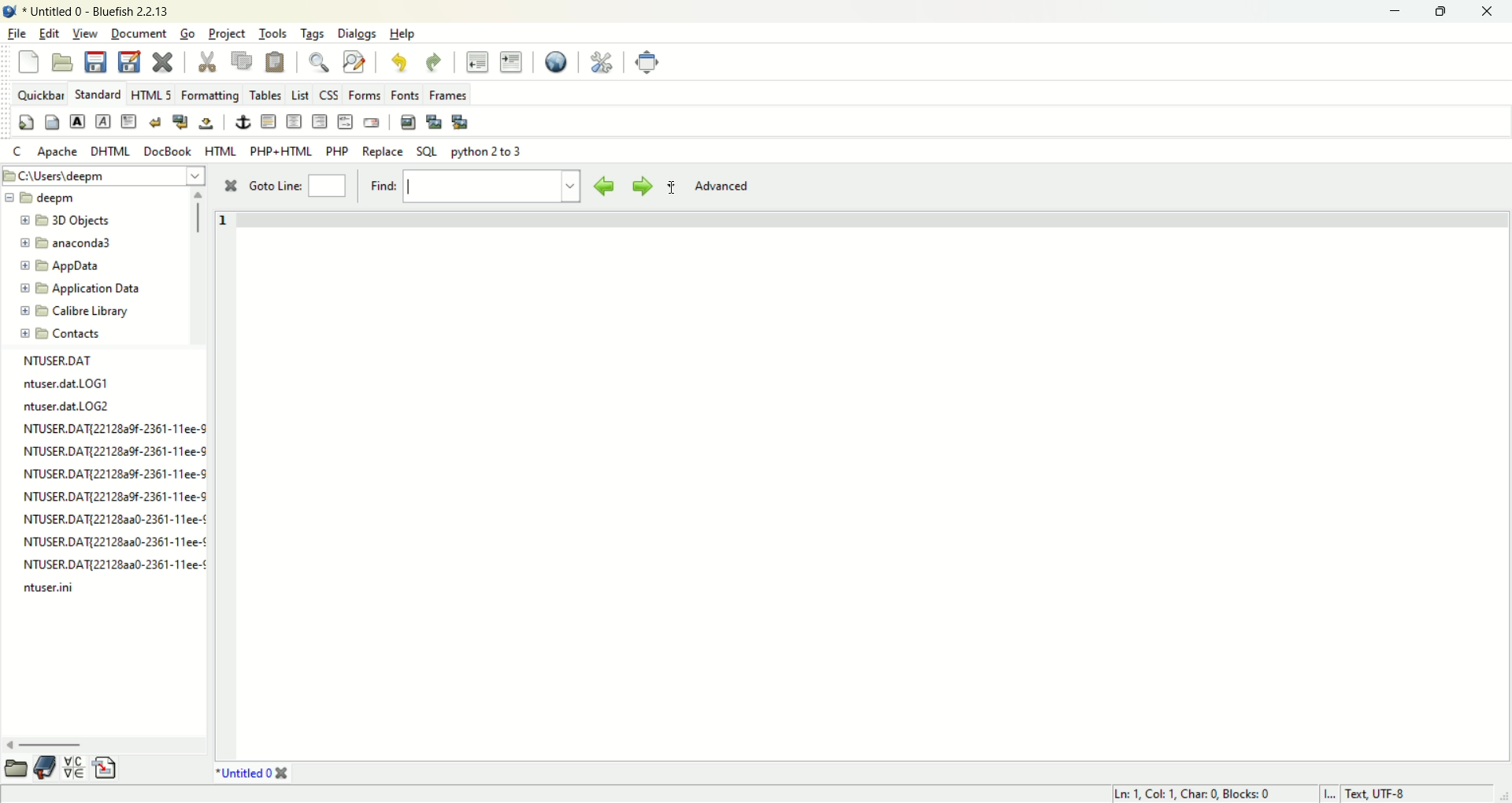 The image size is (1512, 803). Describe the element at coordinates (61, 267) in the screenshot. I see `appdata` at that location.